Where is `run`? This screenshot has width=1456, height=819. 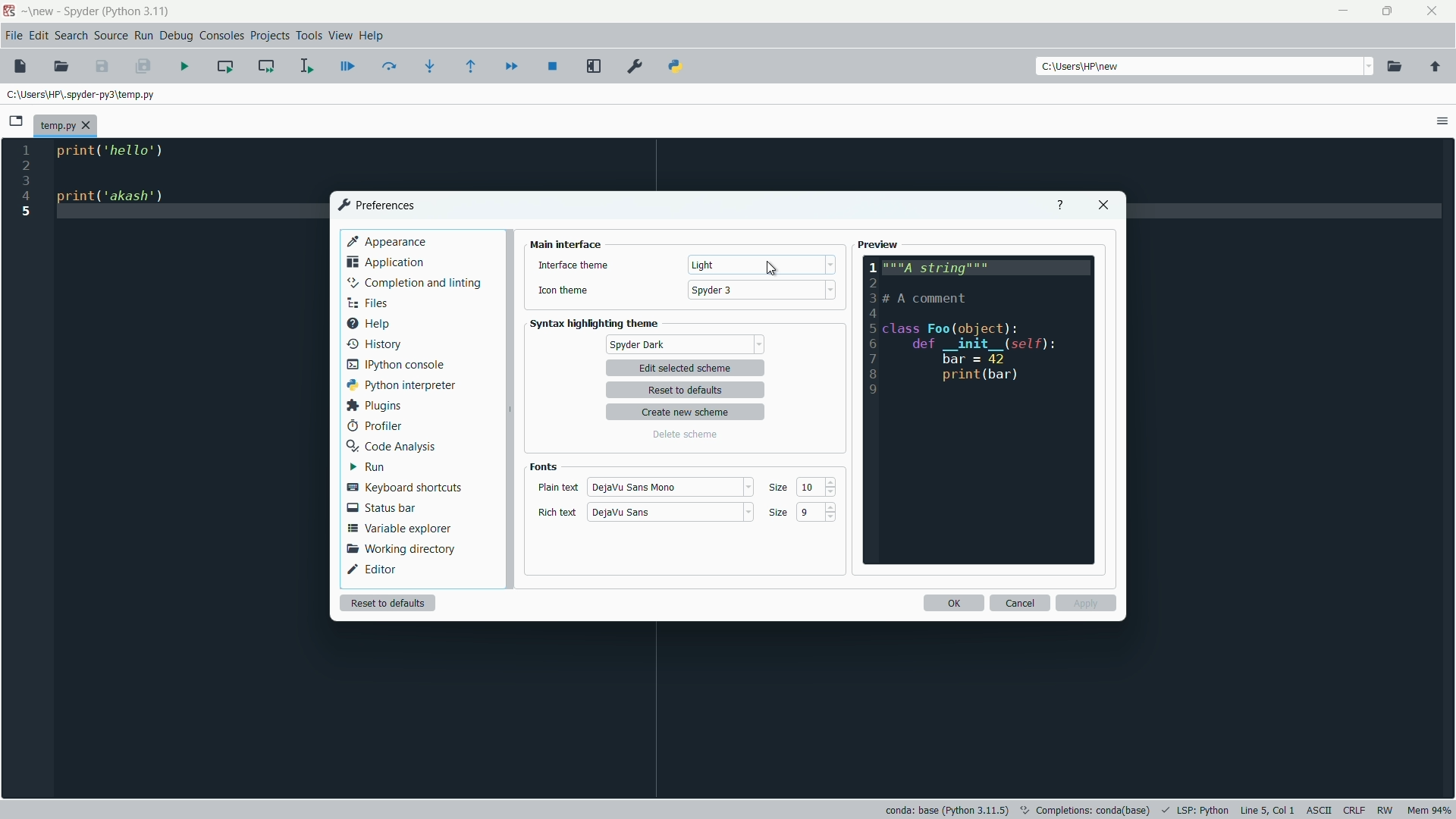 run is located at coordinates (366, 467).